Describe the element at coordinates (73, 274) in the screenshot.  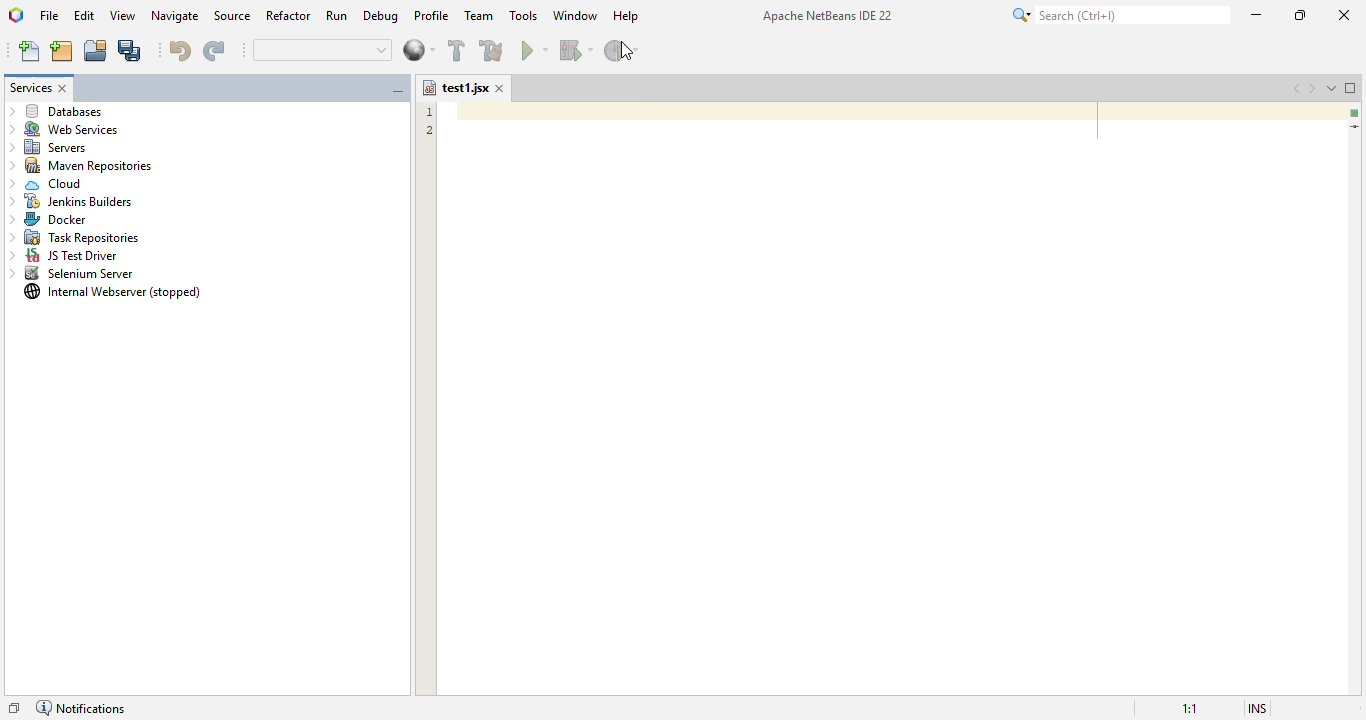
I see `selenium server` at that location.